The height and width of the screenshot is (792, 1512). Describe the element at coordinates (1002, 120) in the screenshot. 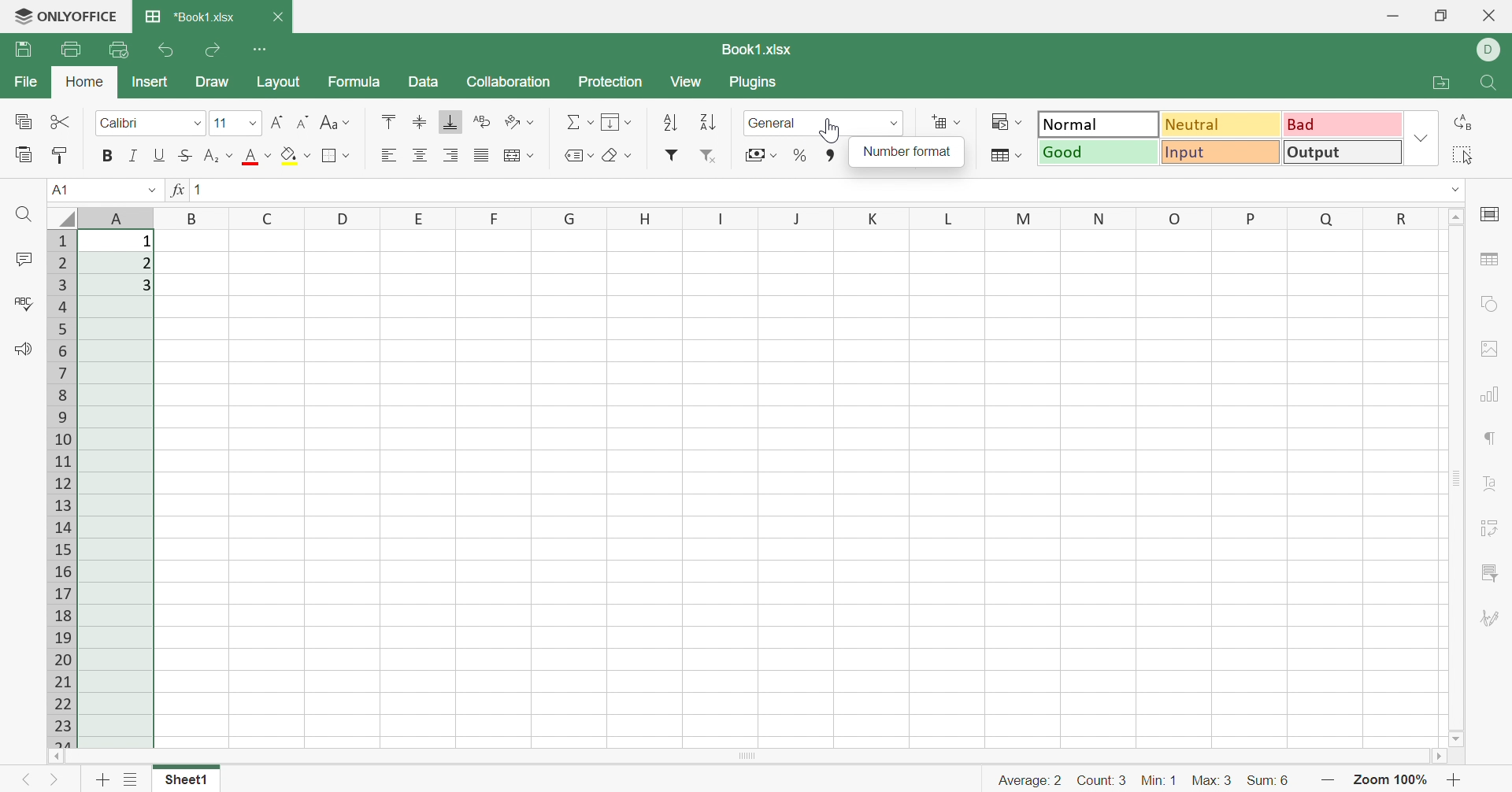

I see `Conditional formatting` at that location.